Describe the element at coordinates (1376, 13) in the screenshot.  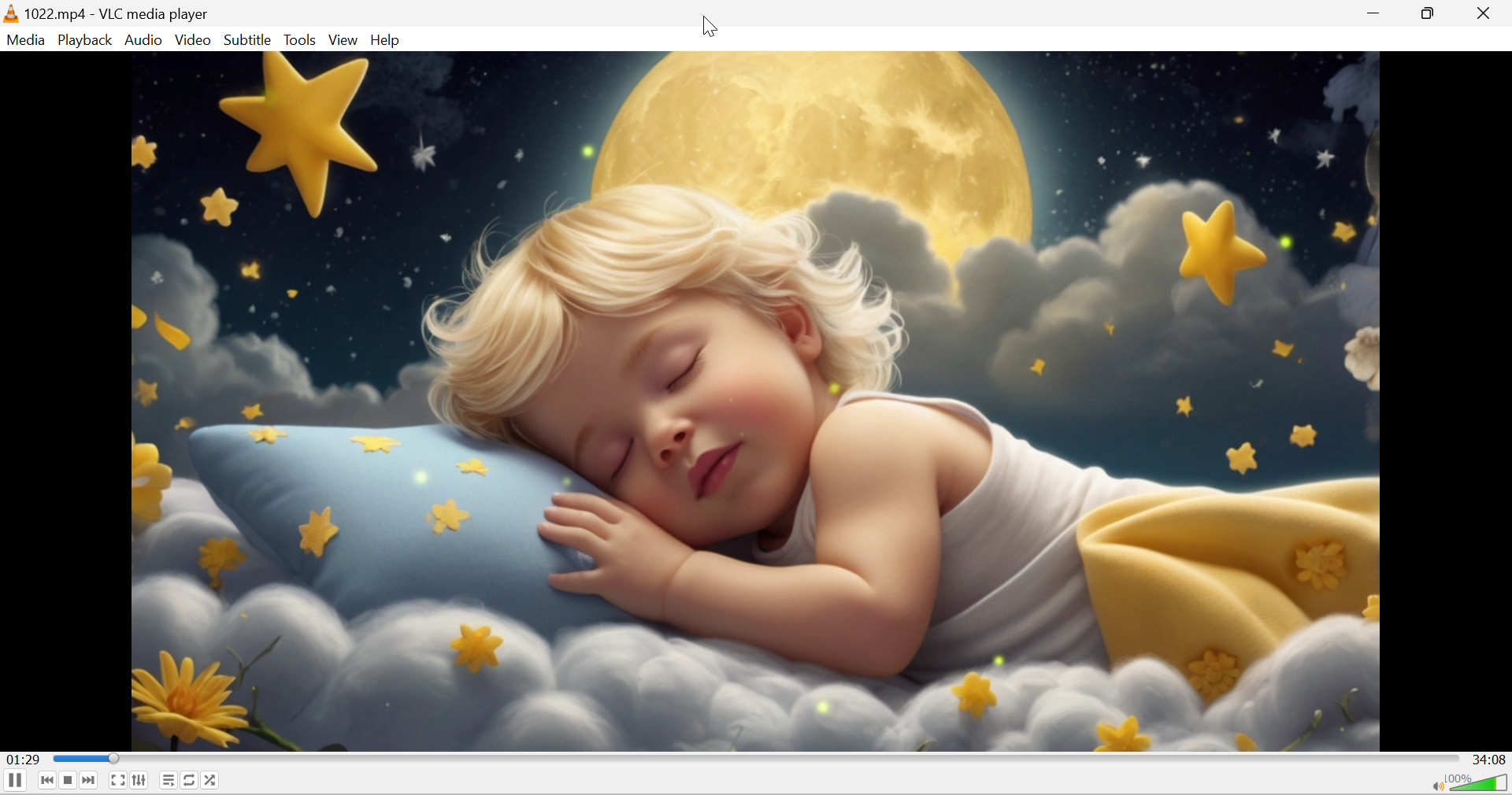
I see `Minimize` at that location.